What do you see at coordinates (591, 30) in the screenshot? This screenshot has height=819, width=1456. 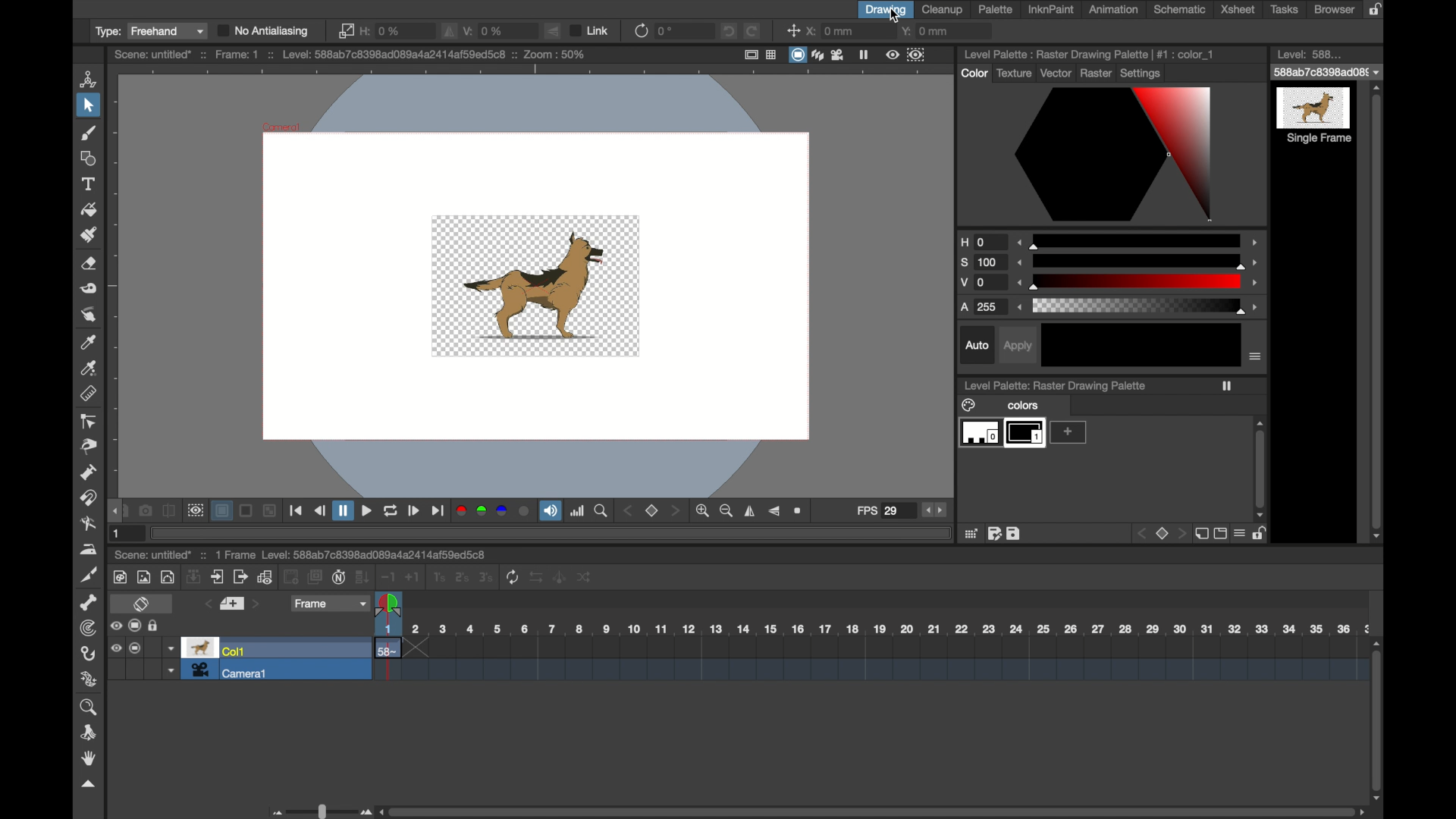 I see `link` at bounding box center [591, 30].